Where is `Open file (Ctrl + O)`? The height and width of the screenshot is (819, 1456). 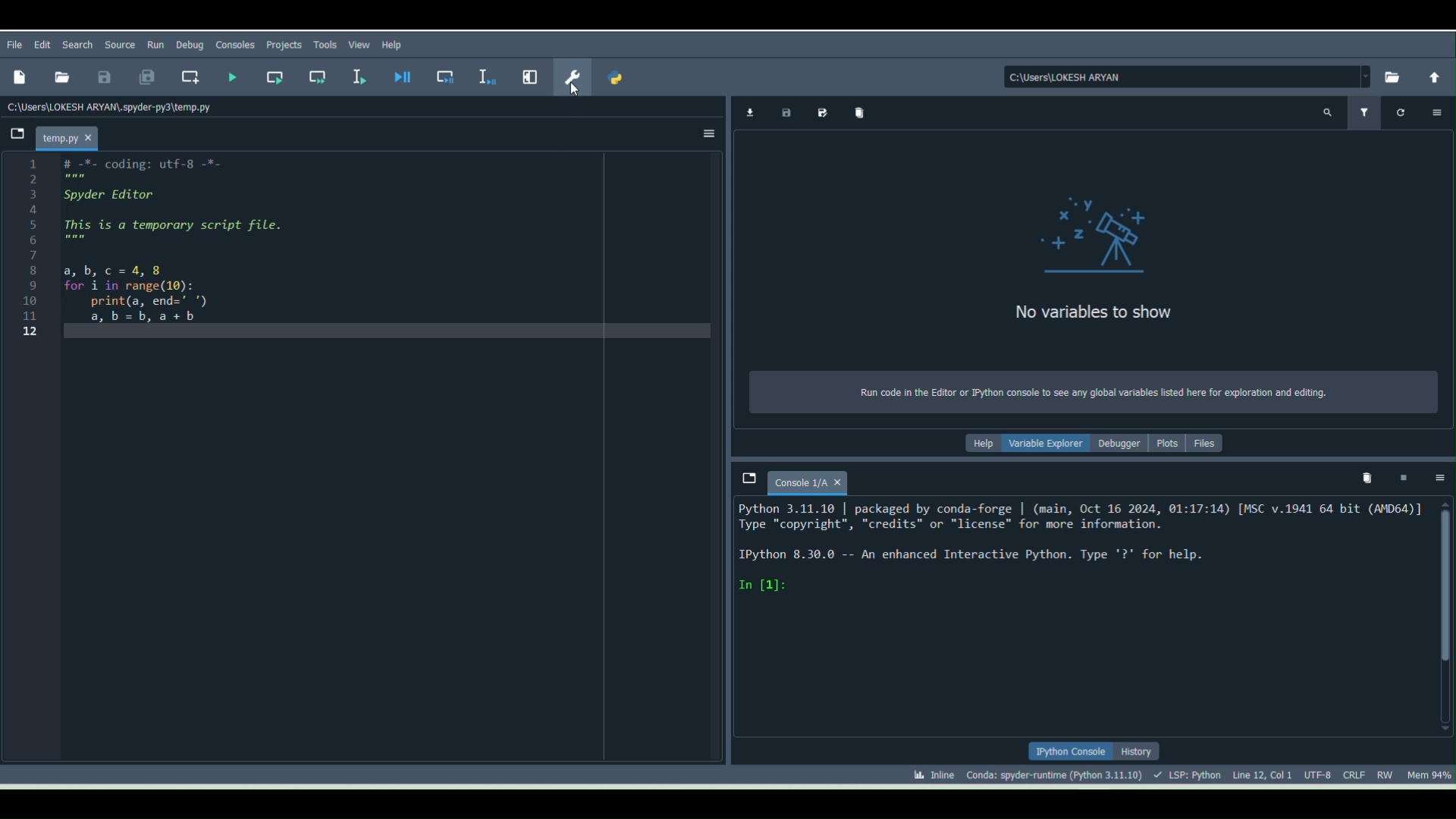 Open file (Ctrl + O) is located at coordinates (59, 75).